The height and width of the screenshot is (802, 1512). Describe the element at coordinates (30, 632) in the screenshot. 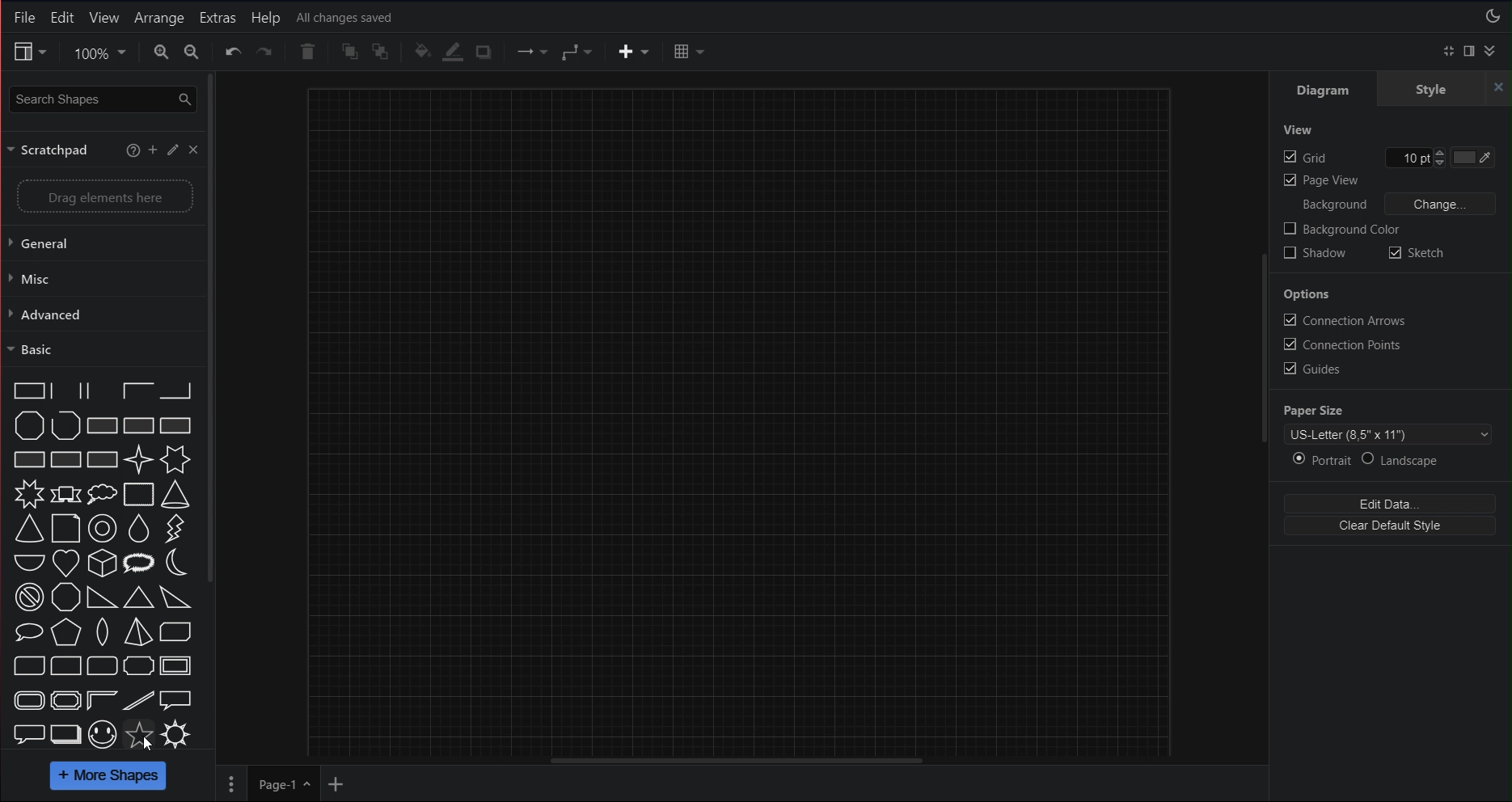

I see `oval callout` at that location.